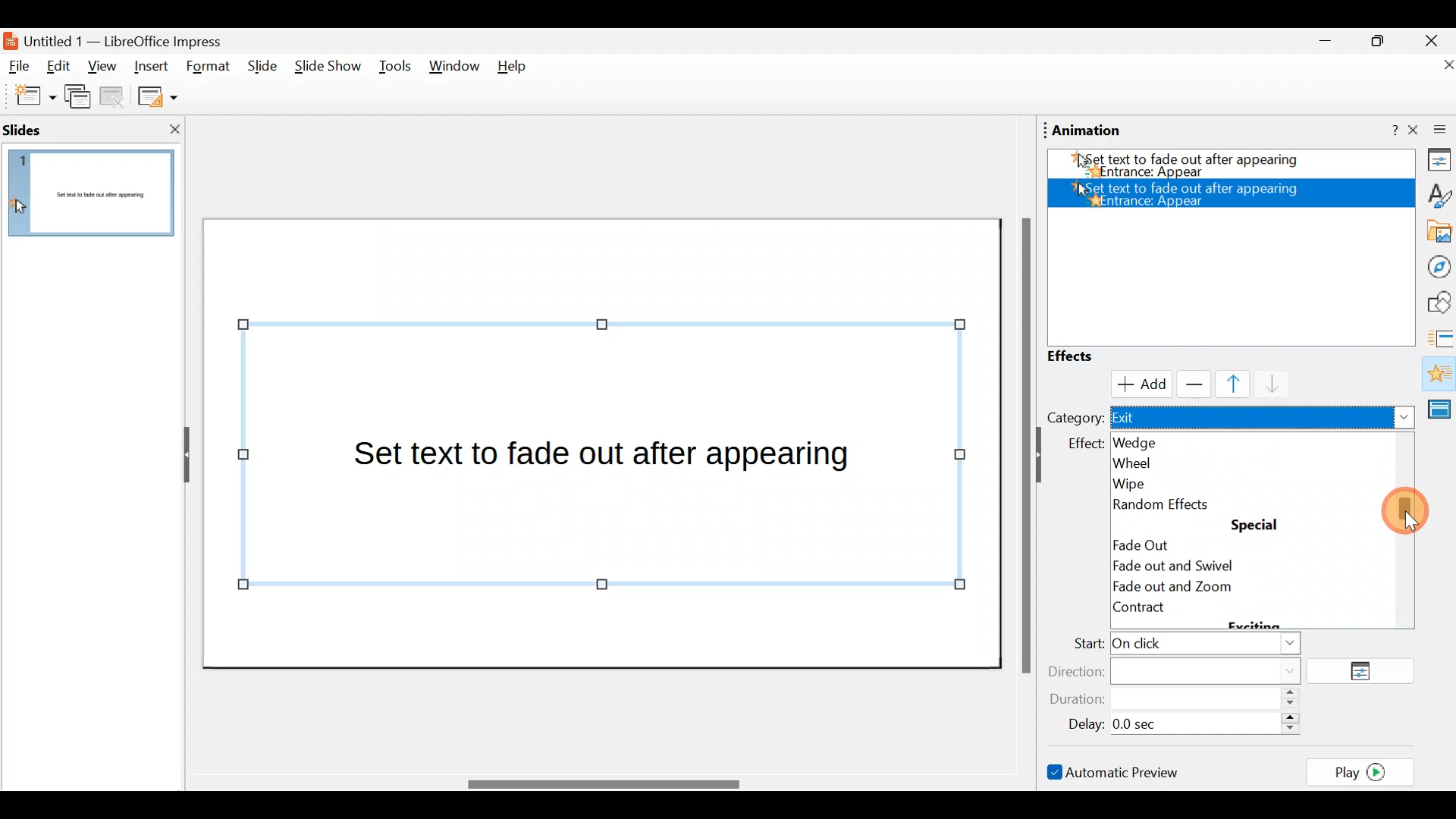 The height and width of the screenshot is (819, 1456). Describe the element at coordinates (326, 70) in the screenshot. I see `Slide show` at that location.